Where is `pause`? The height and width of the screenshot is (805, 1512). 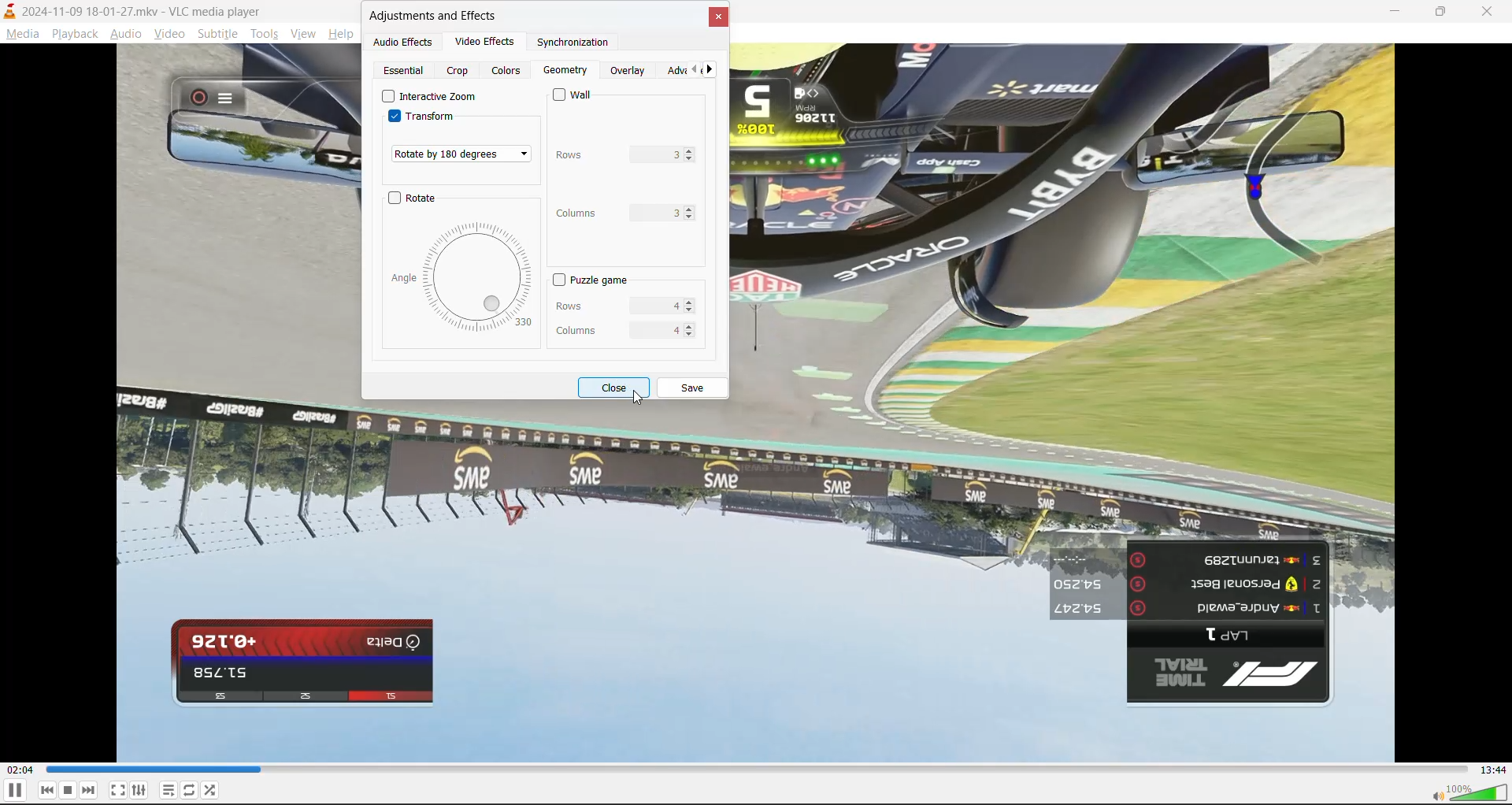
pause is located at coordinates (14, 792).